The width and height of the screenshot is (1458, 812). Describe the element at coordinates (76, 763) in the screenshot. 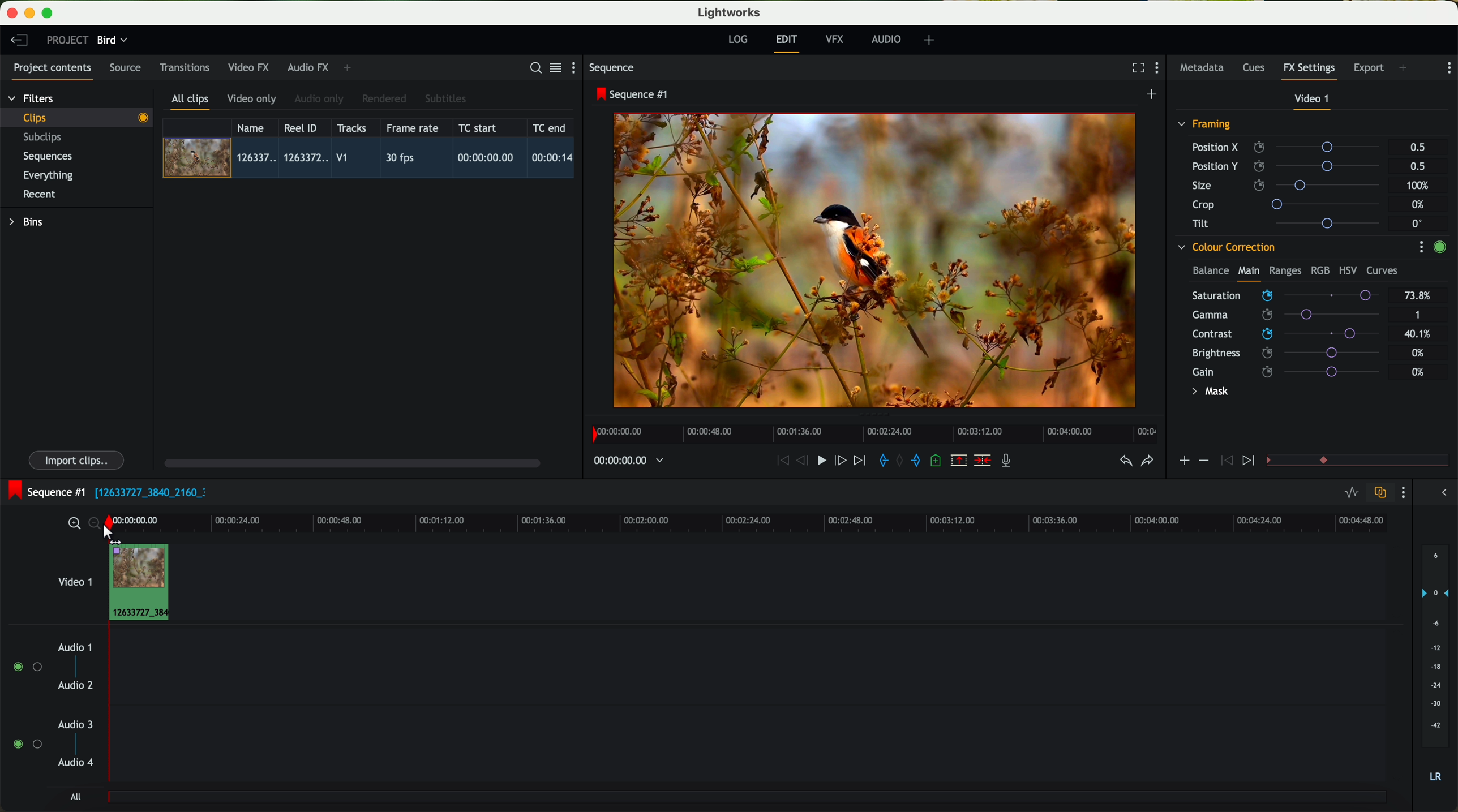

I see `audio 4` at that location.